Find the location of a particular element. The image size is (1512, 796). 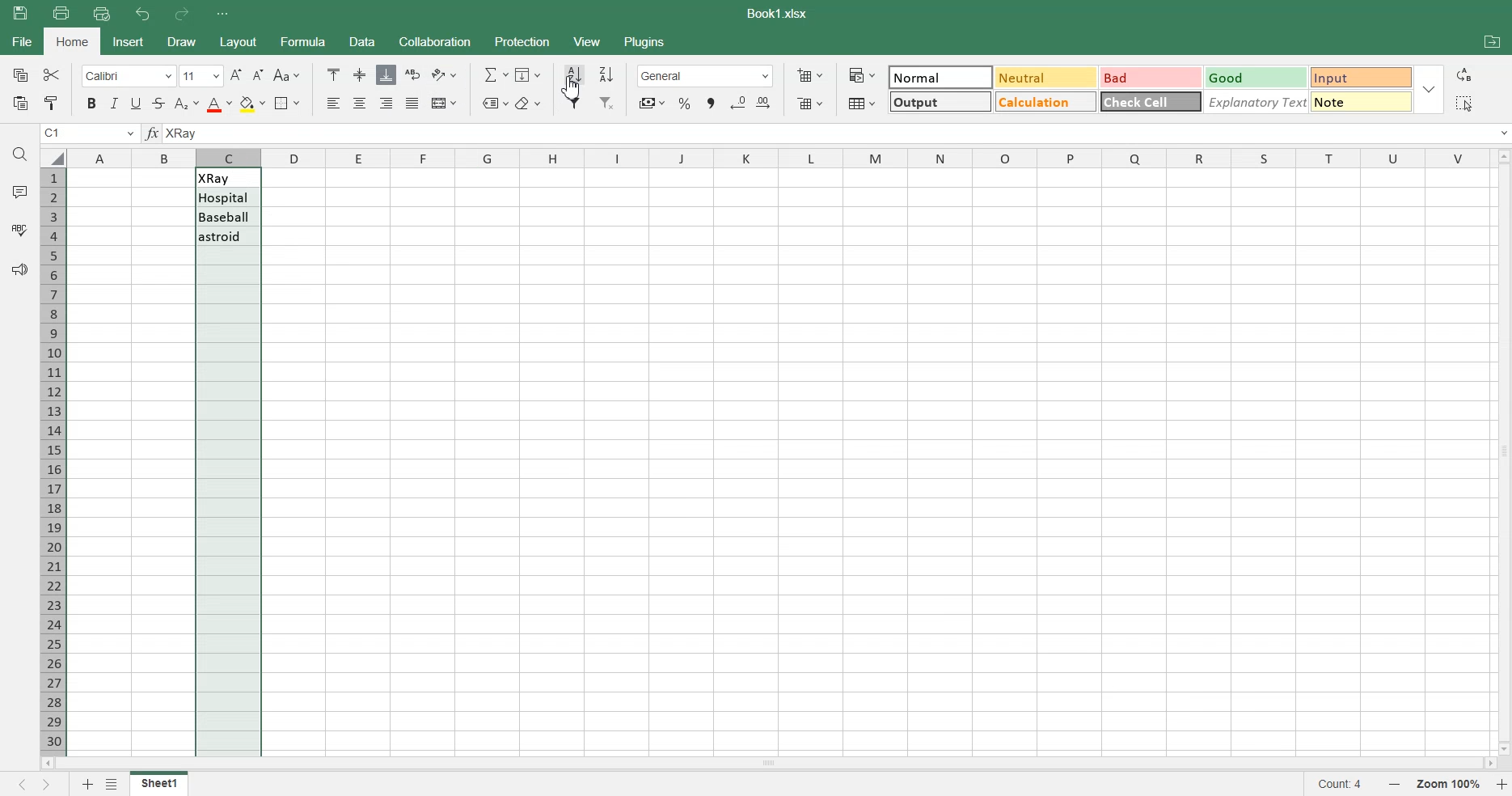

Neutral is located at coordinates (1042, 77).